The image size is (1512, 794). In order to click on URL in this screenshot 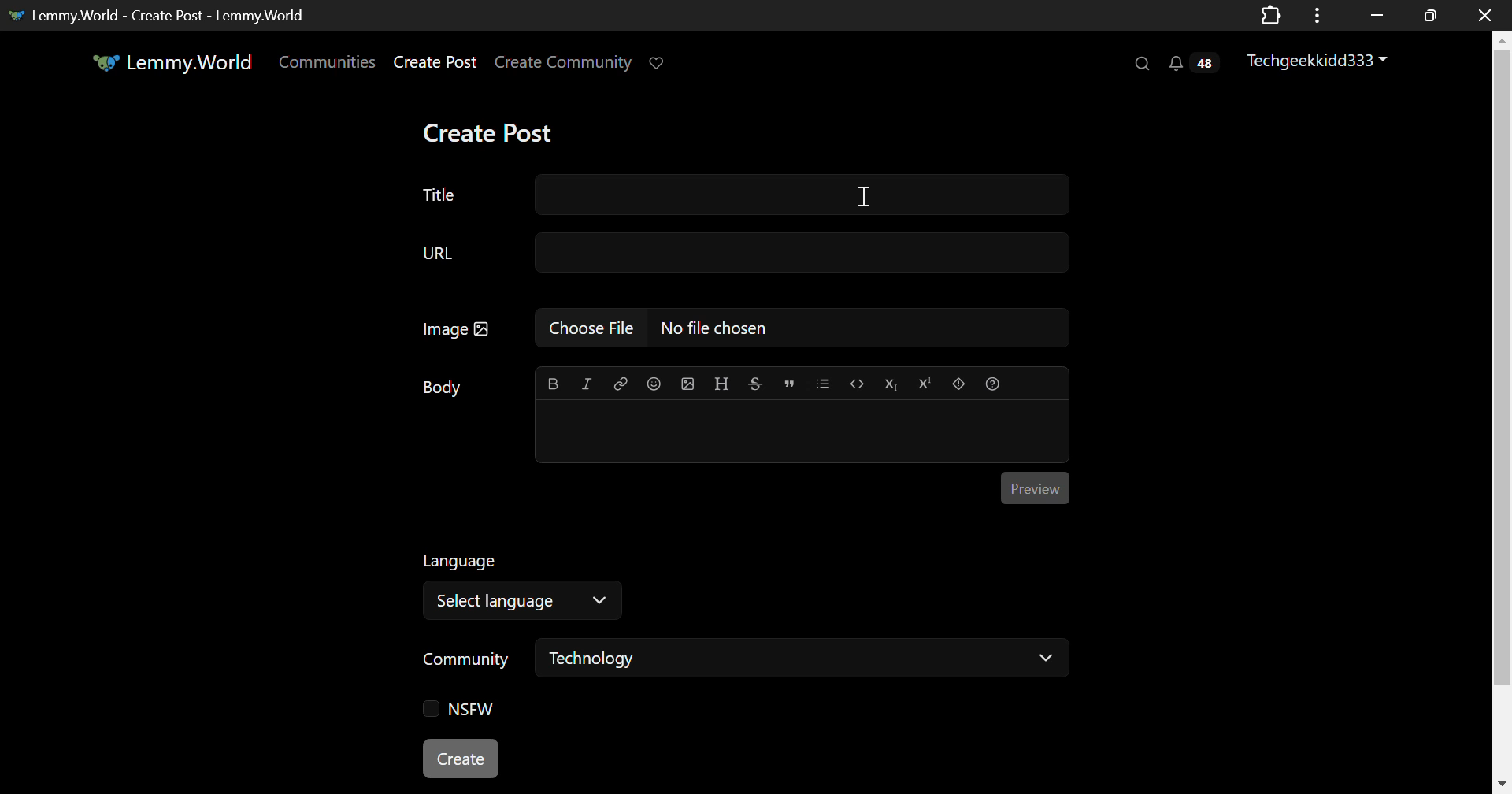, I will do `click(753, 252)`.